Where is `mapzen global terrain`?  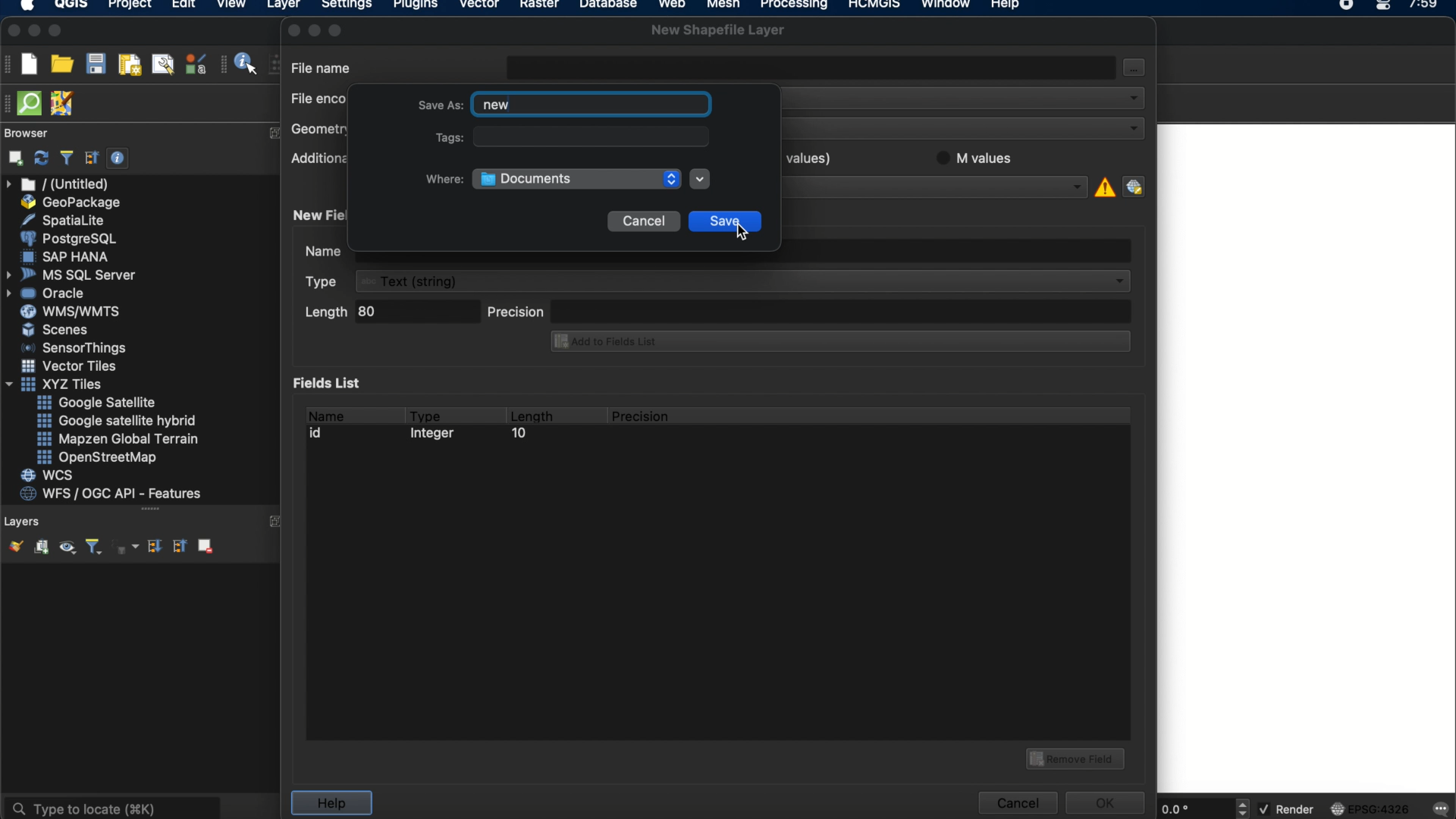 mapzen global terrain is located at coordinates (118, 439).